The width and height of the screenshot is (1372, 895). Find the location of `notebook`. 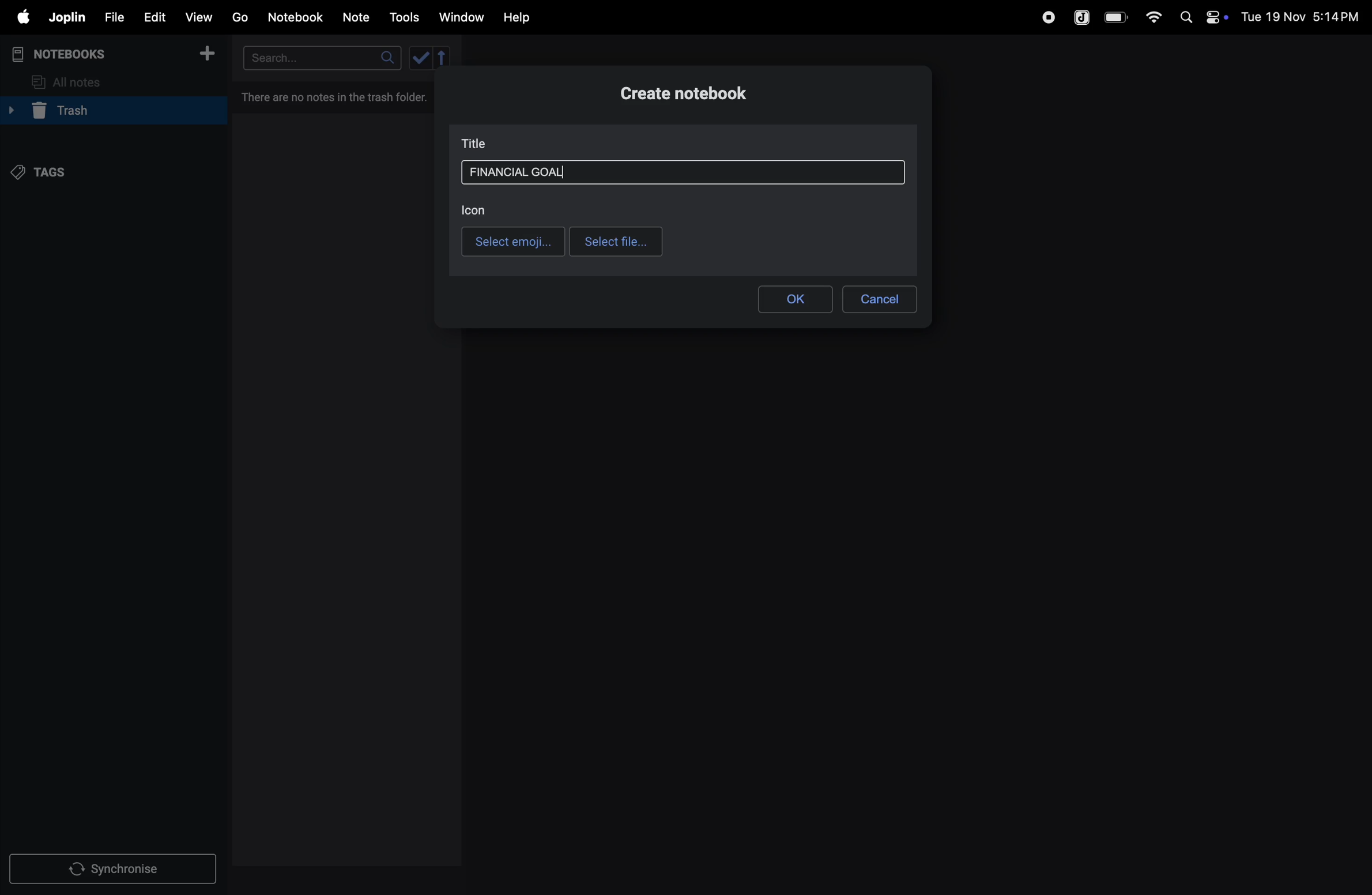

notebook is located at coordinates (295, 17).